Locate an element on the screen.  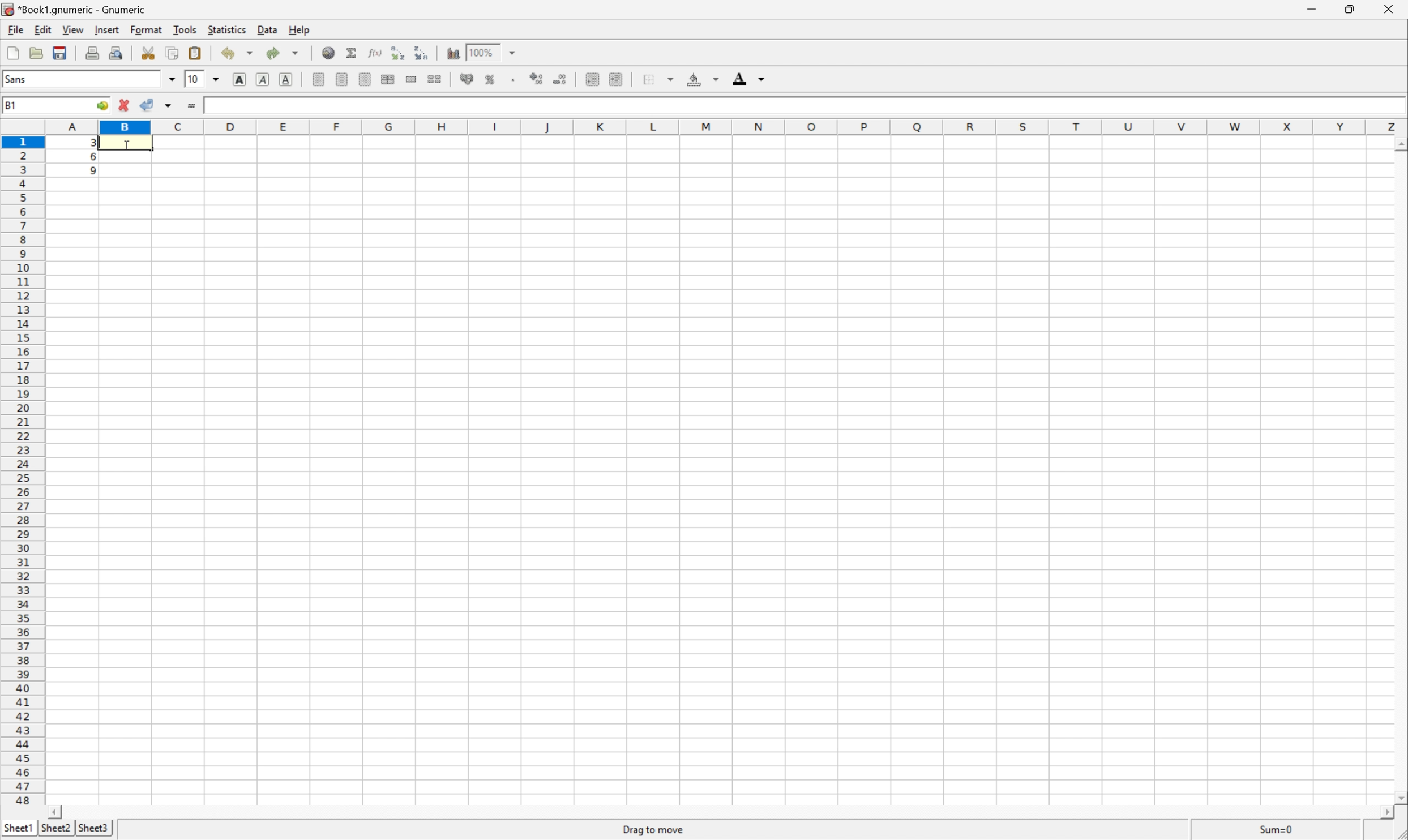
Sort the selected region in descending order based on the first column selected is located at coordinates (396, 52).